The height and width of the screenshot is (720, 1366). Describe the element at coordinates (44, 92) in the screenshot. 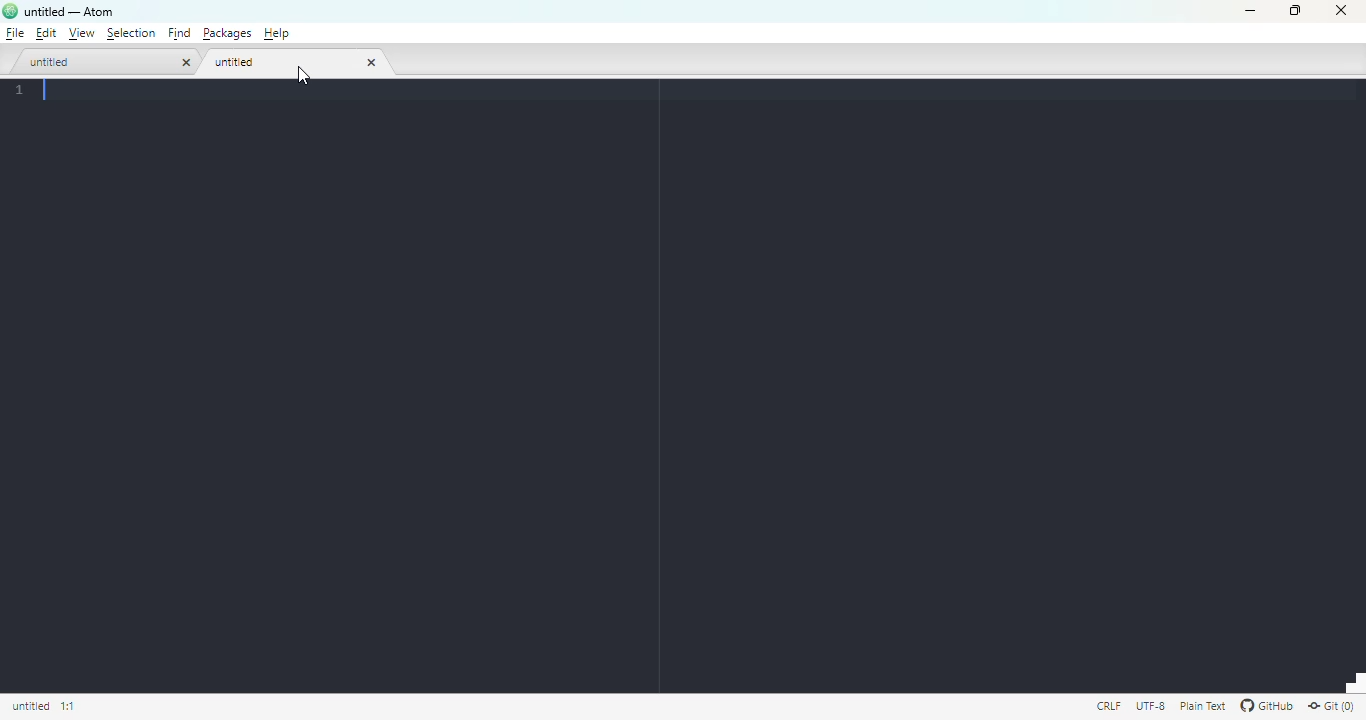

I see `typing` at that location.